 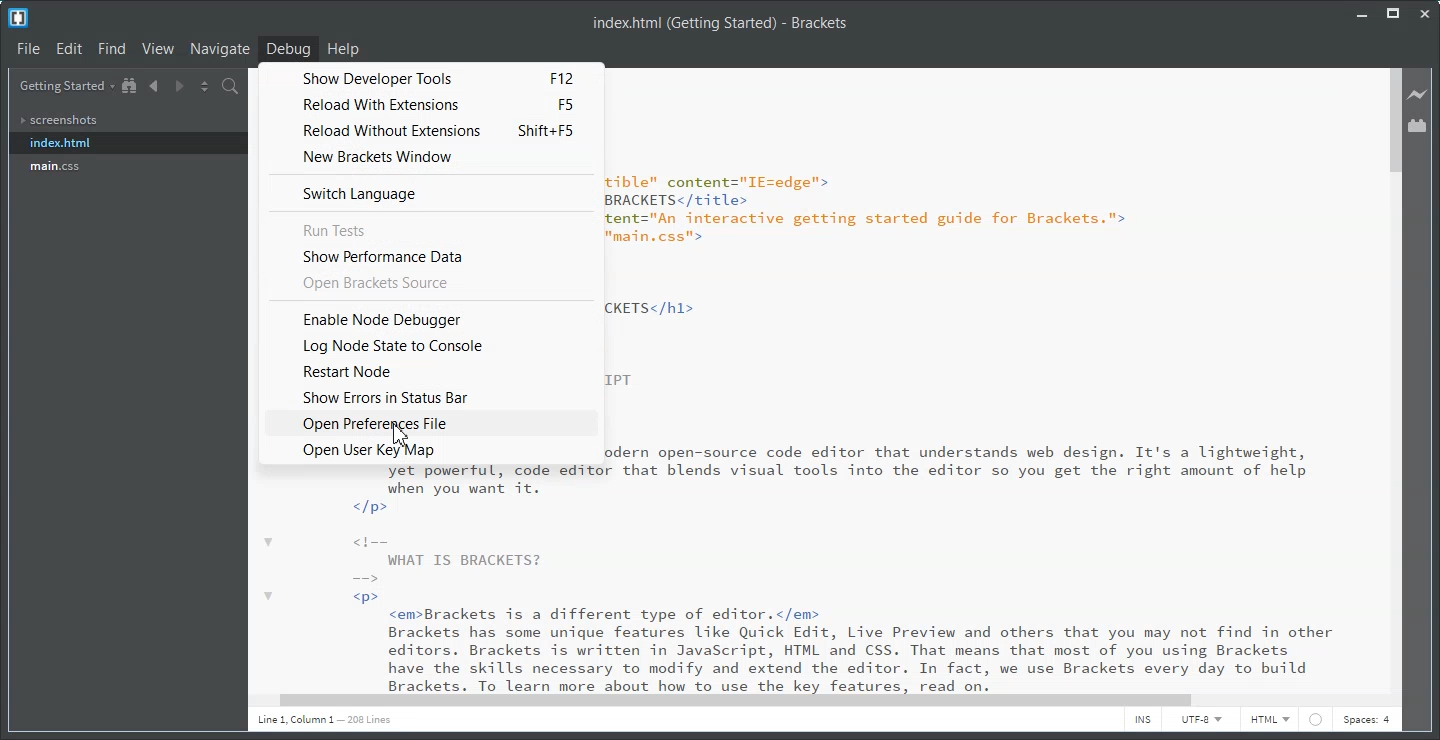 What do you see at coordinates (427, 156) in the screenshot?
I see `New Brackets Window` at bounding box center [427, 156].